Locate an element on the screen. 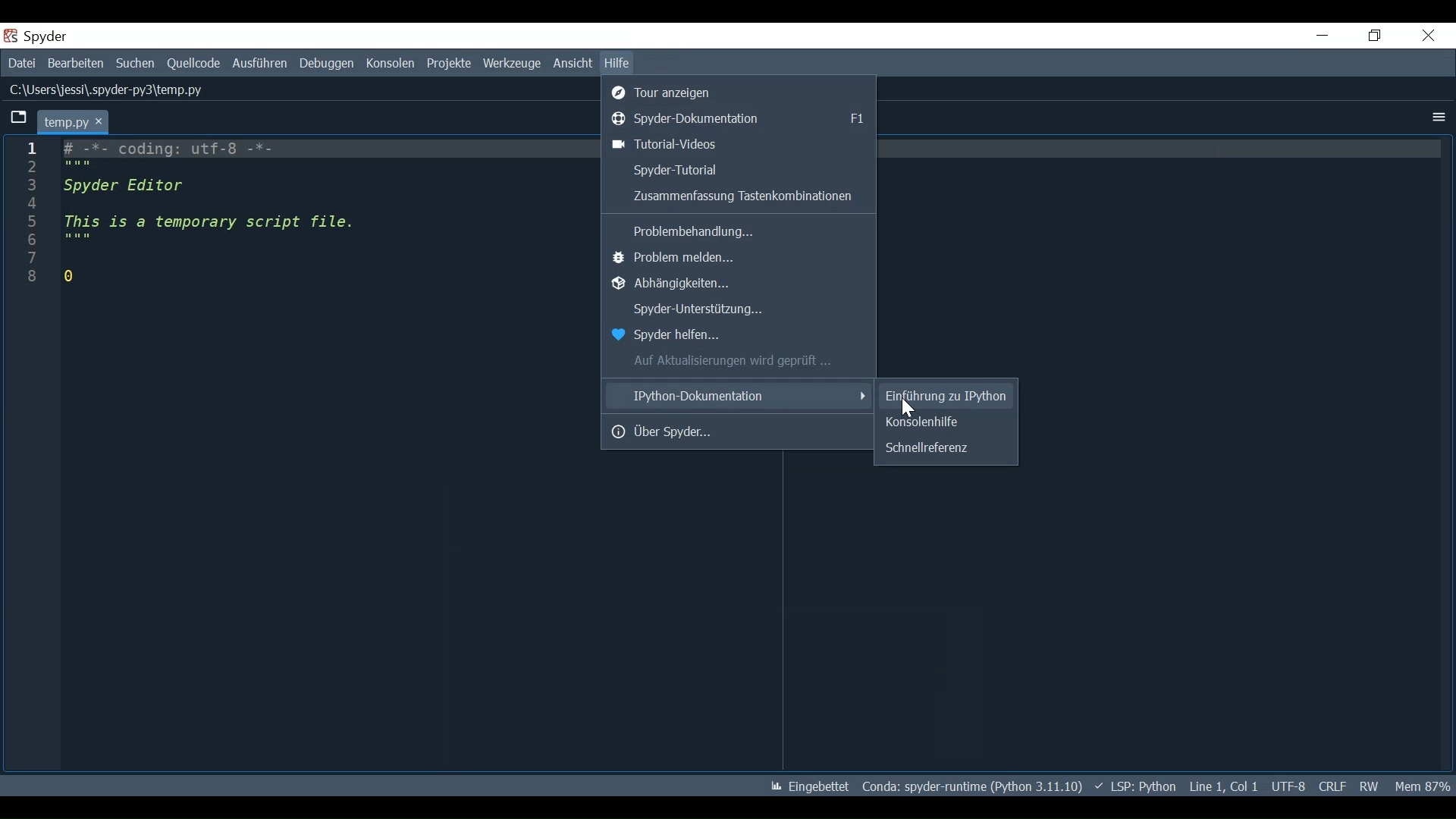 The height and width of the screenshot is (819, 1456). fF -*- coding: utf-8 -*-

Spyder Editor

This is a temporary script file.
0 is located at coordinates (215, 214).